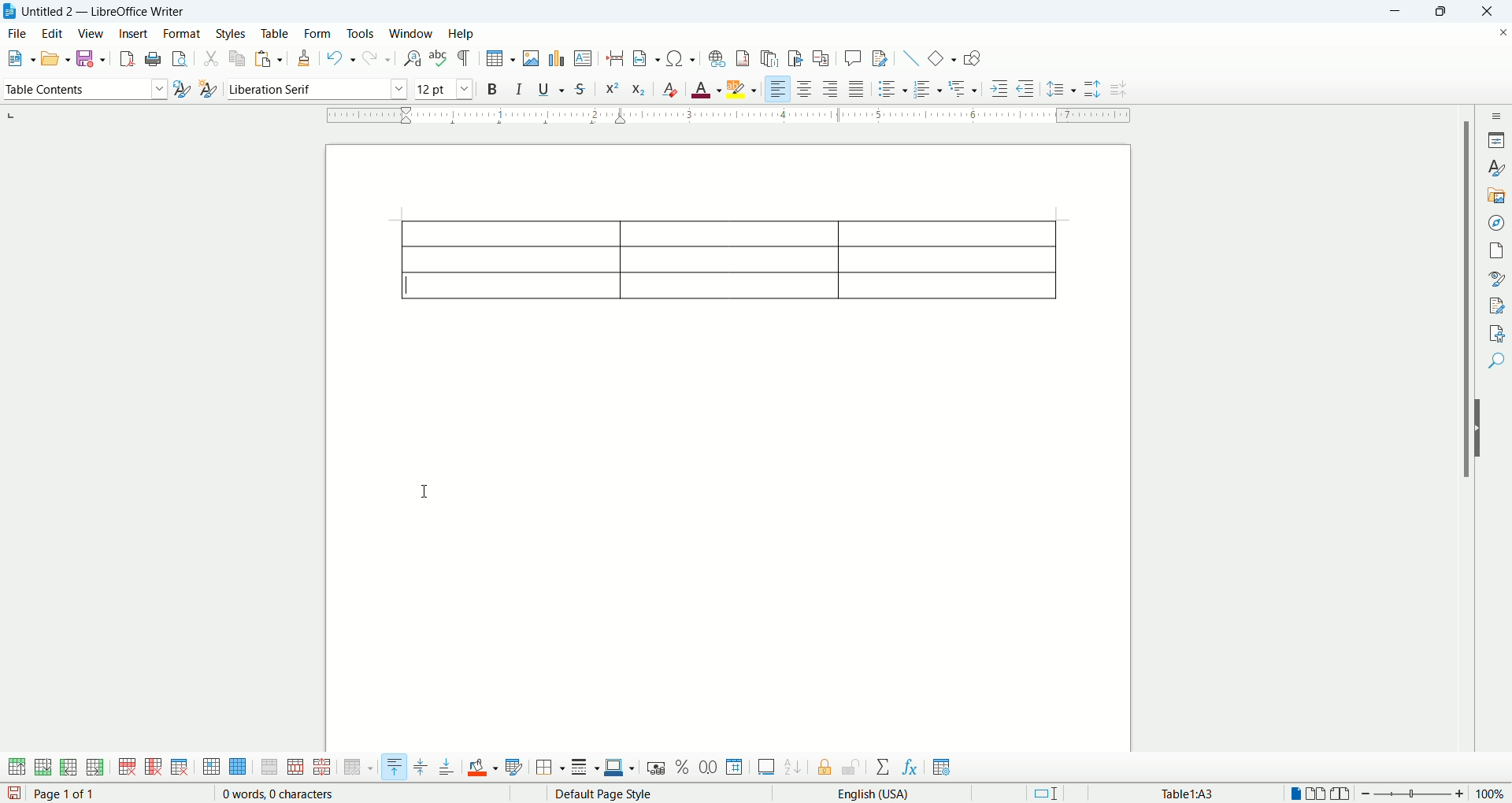 This screenshot has width=1512, height=803. Describe the element at coordinates (1341, 794) in the screenshot. I see `bookview` at that location.